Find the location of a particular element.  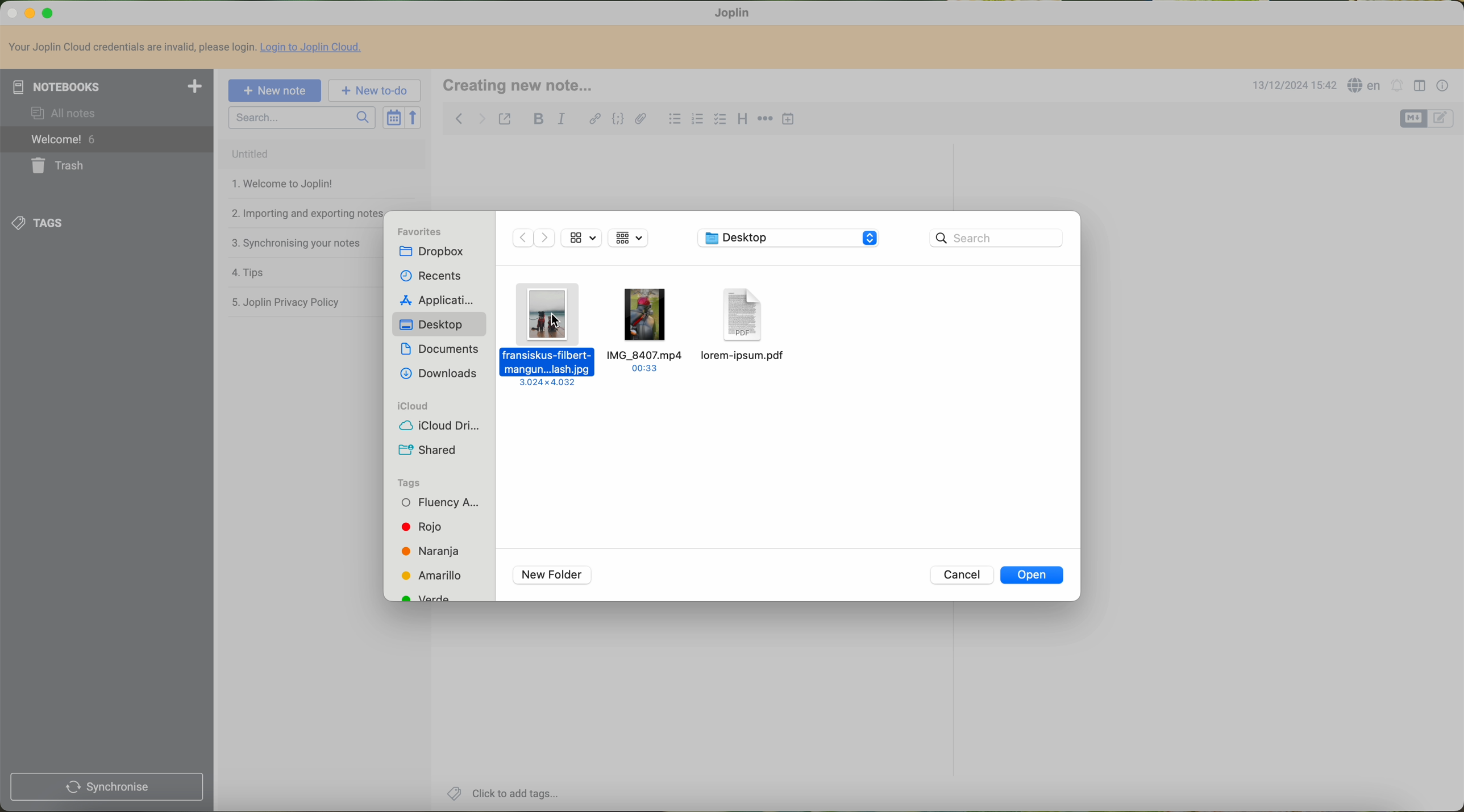

toggle editors is located at coordinates (1413, 119).